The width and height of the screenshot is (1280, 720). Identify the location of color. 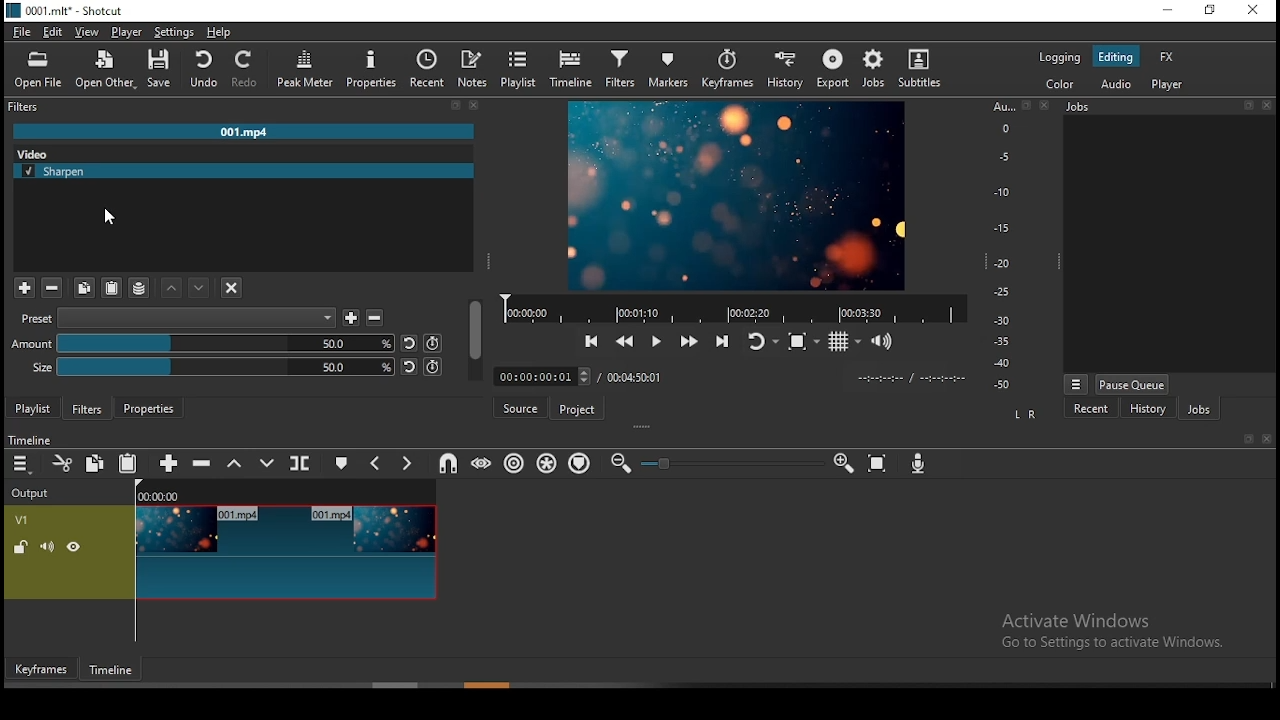
(1056, 84).